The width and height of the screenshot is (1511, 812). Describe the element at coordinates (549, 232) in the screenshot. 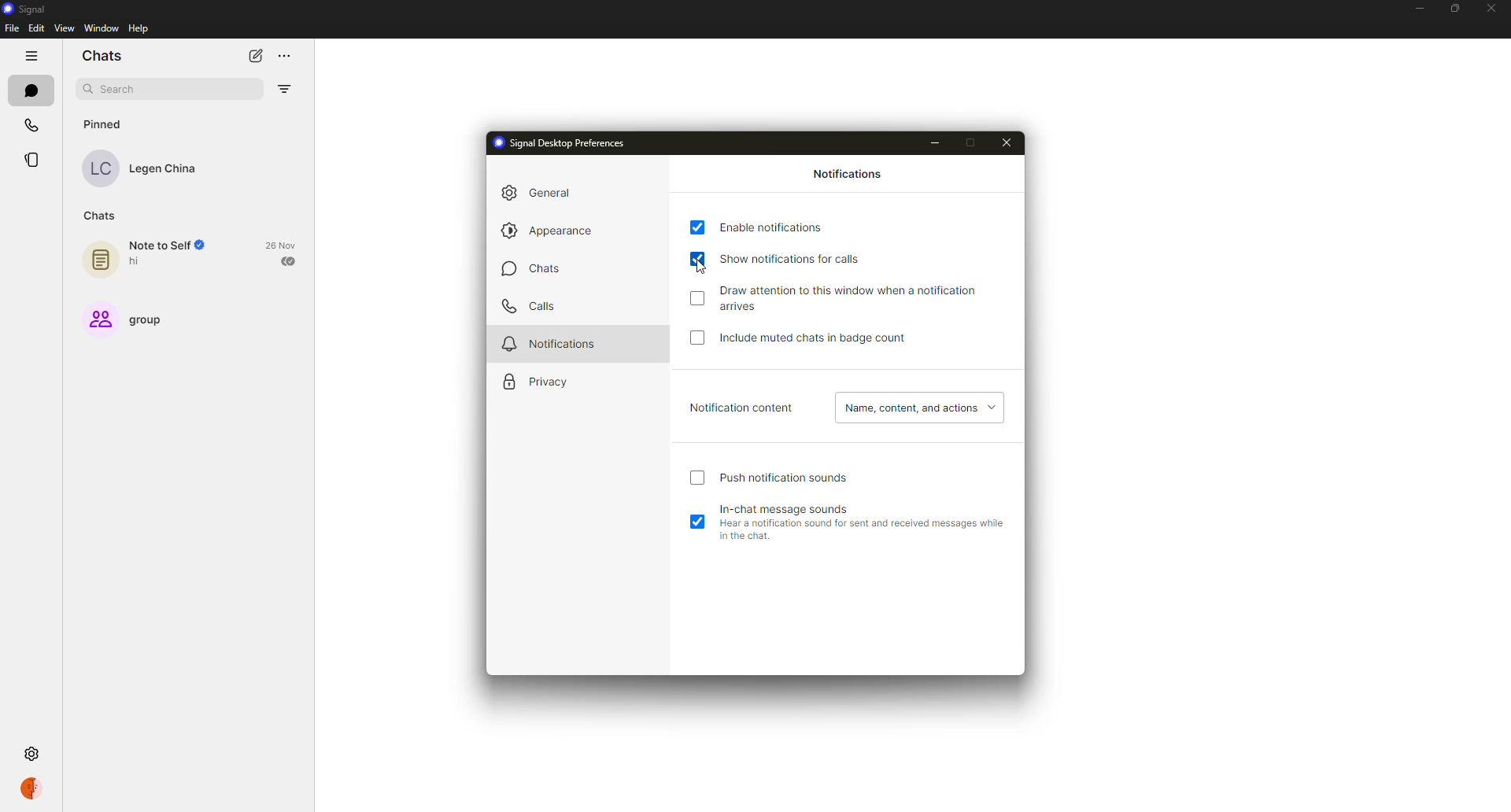

I see `appearance` at that location.